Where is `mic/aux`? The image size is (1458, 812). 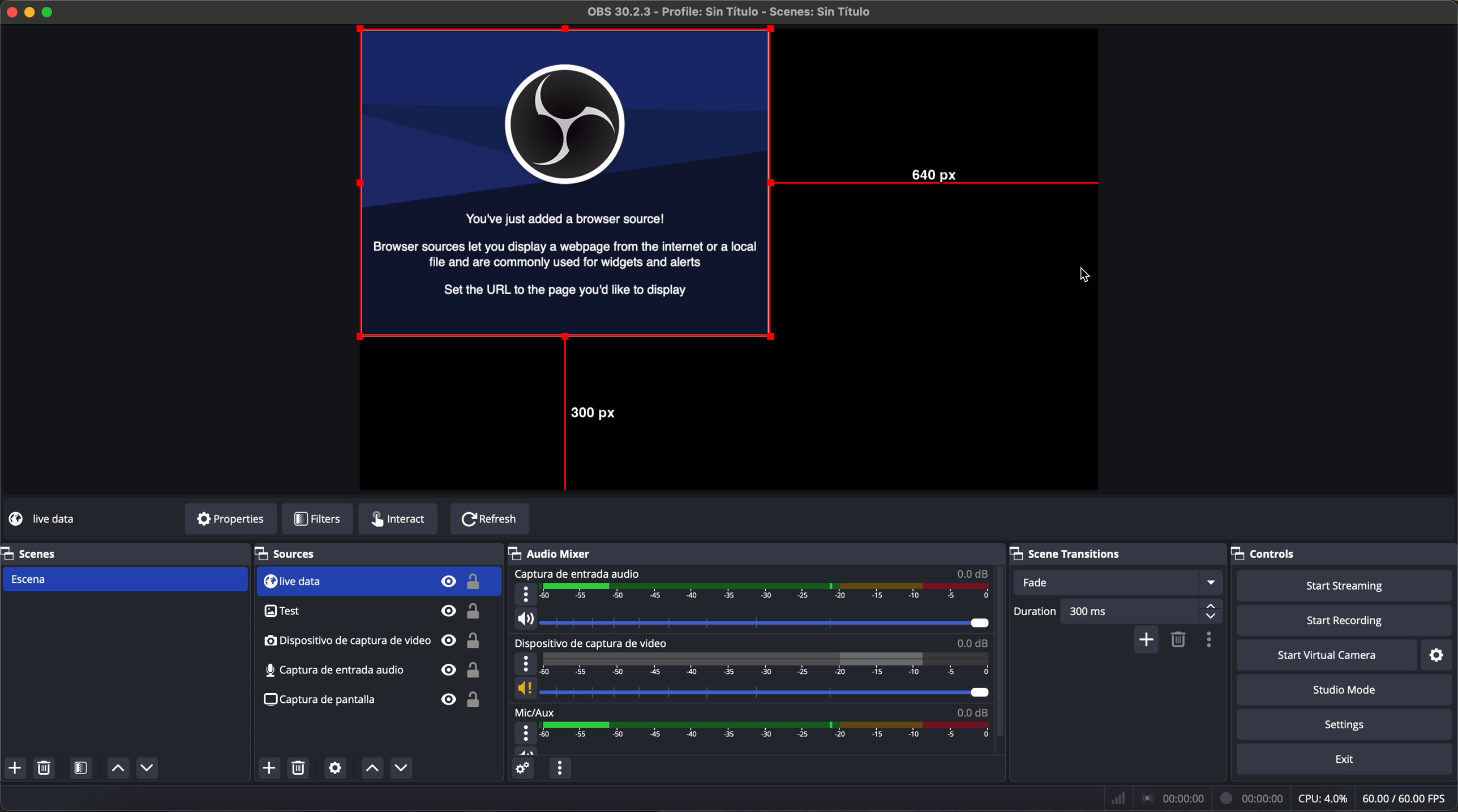
mic/aux is located at coordinates (541, 712).